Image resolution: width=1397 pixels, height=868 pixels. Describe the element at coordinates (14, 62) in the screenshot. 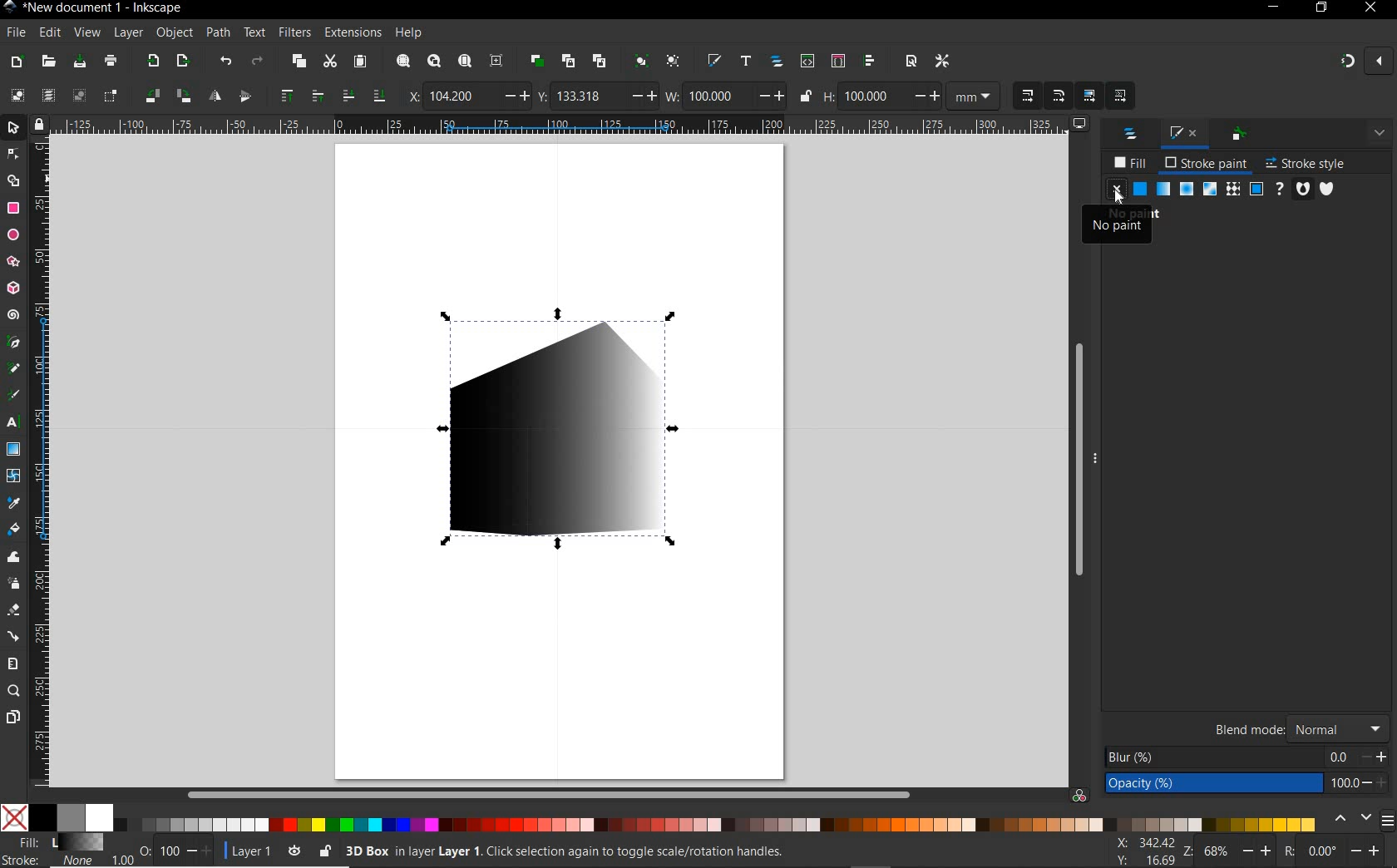

I see `NEW` at that location.